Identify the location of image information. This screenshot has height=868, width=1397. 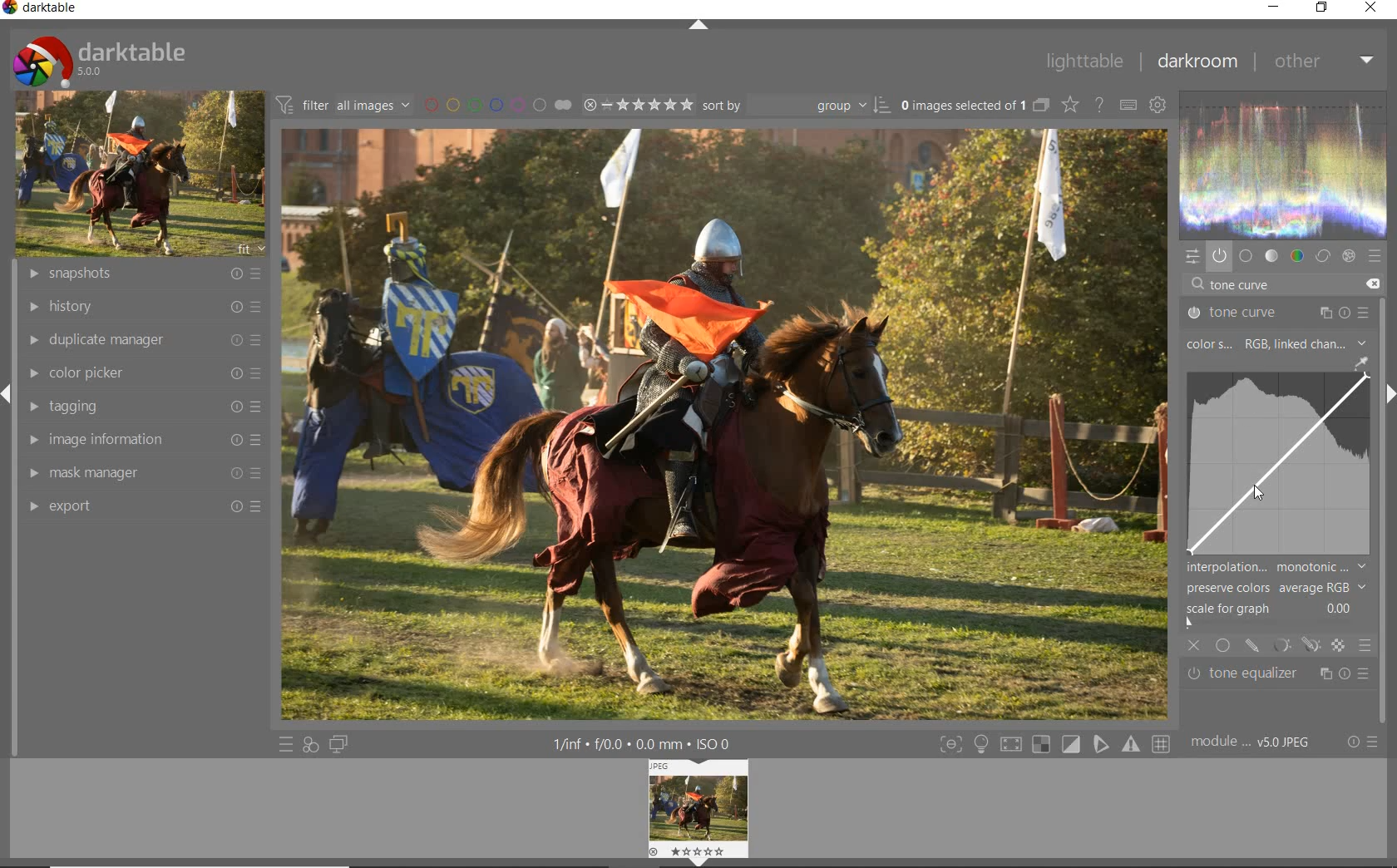
(141, 440).